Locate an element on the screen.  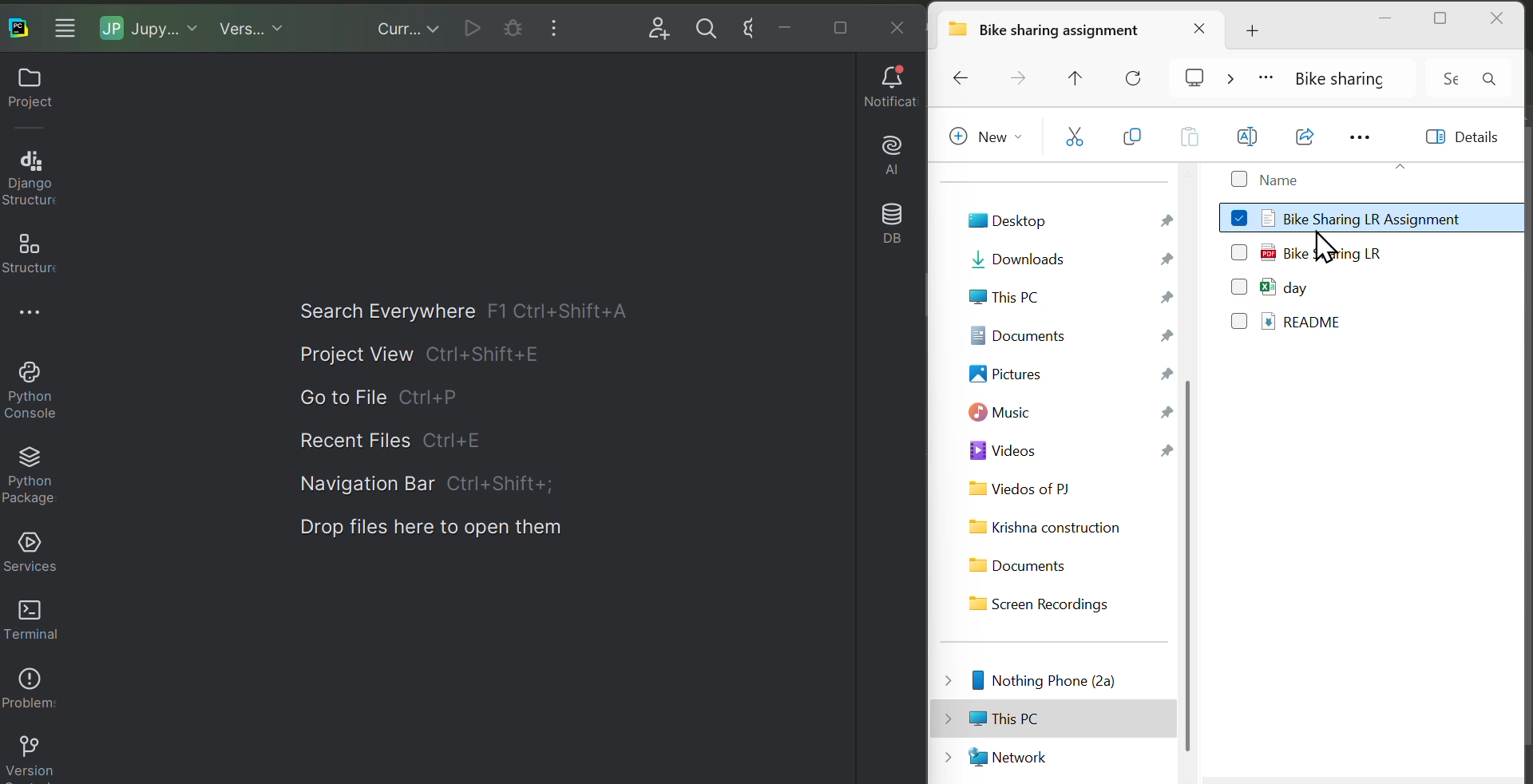
Jupiter notebook is located at coordinates (155, 27).